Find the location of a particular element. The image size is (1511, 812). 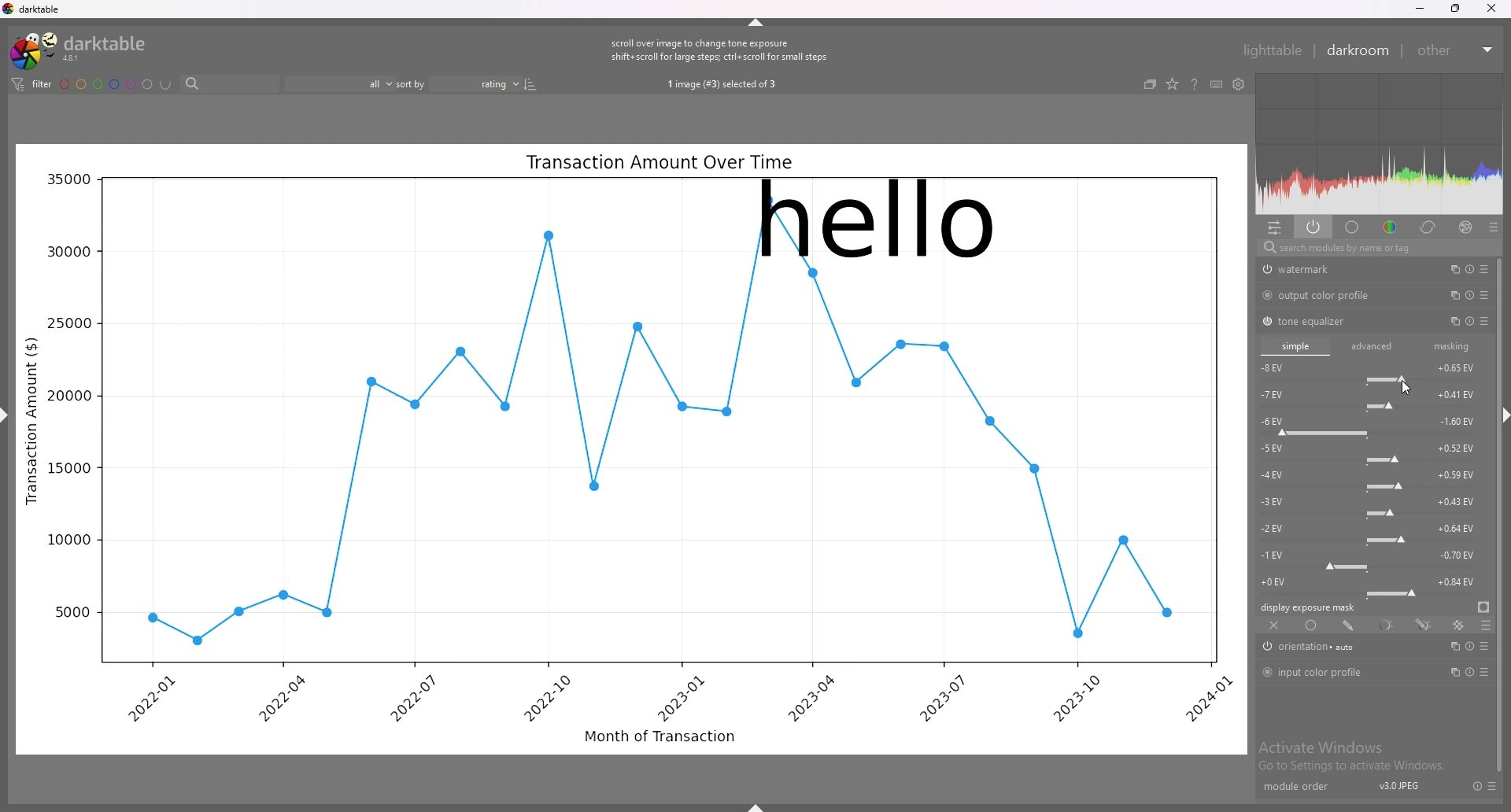

20000 is located at coordinates (68, 396).